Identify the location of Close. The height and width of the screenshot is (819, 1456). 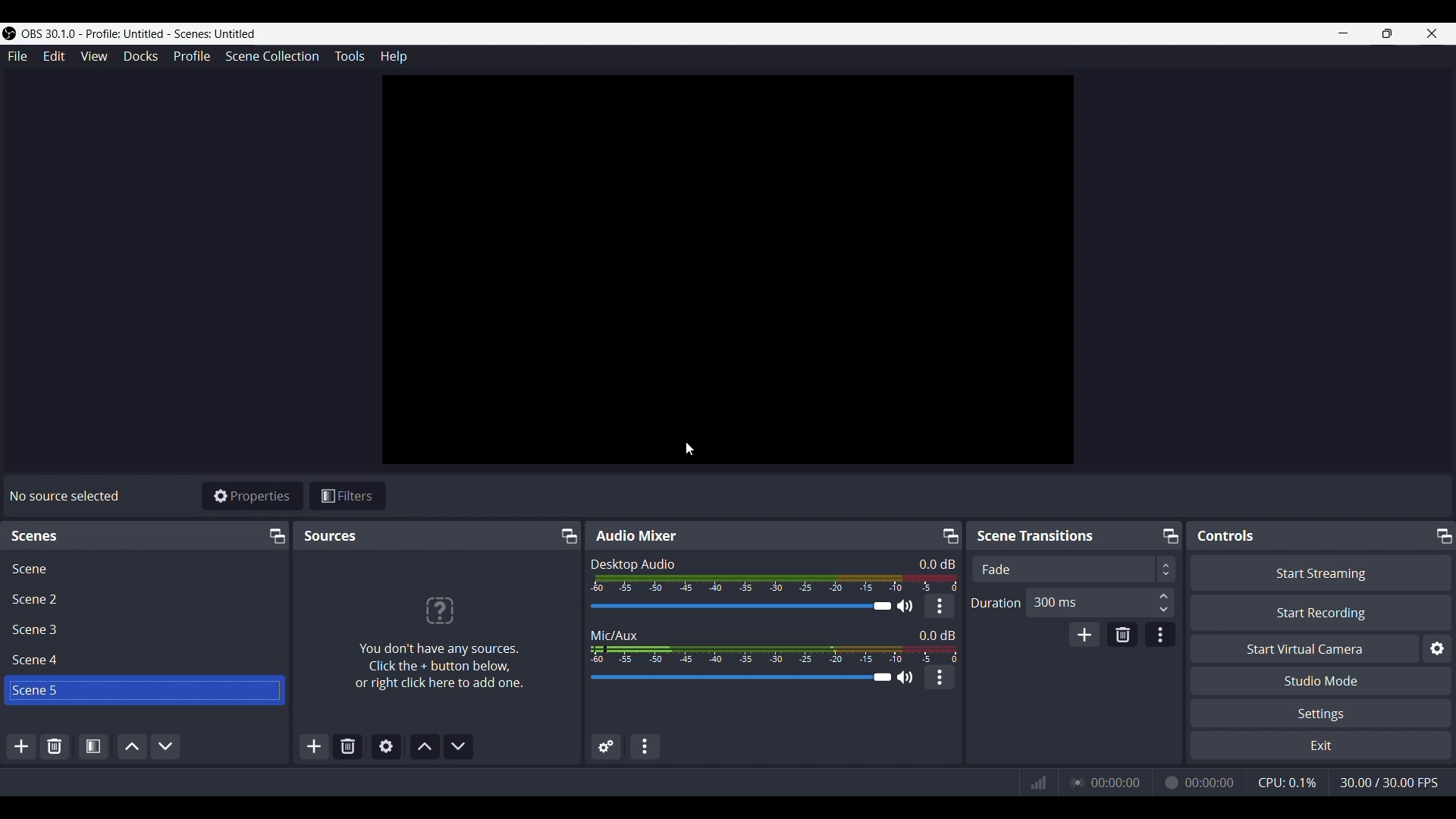
(1435, 33).